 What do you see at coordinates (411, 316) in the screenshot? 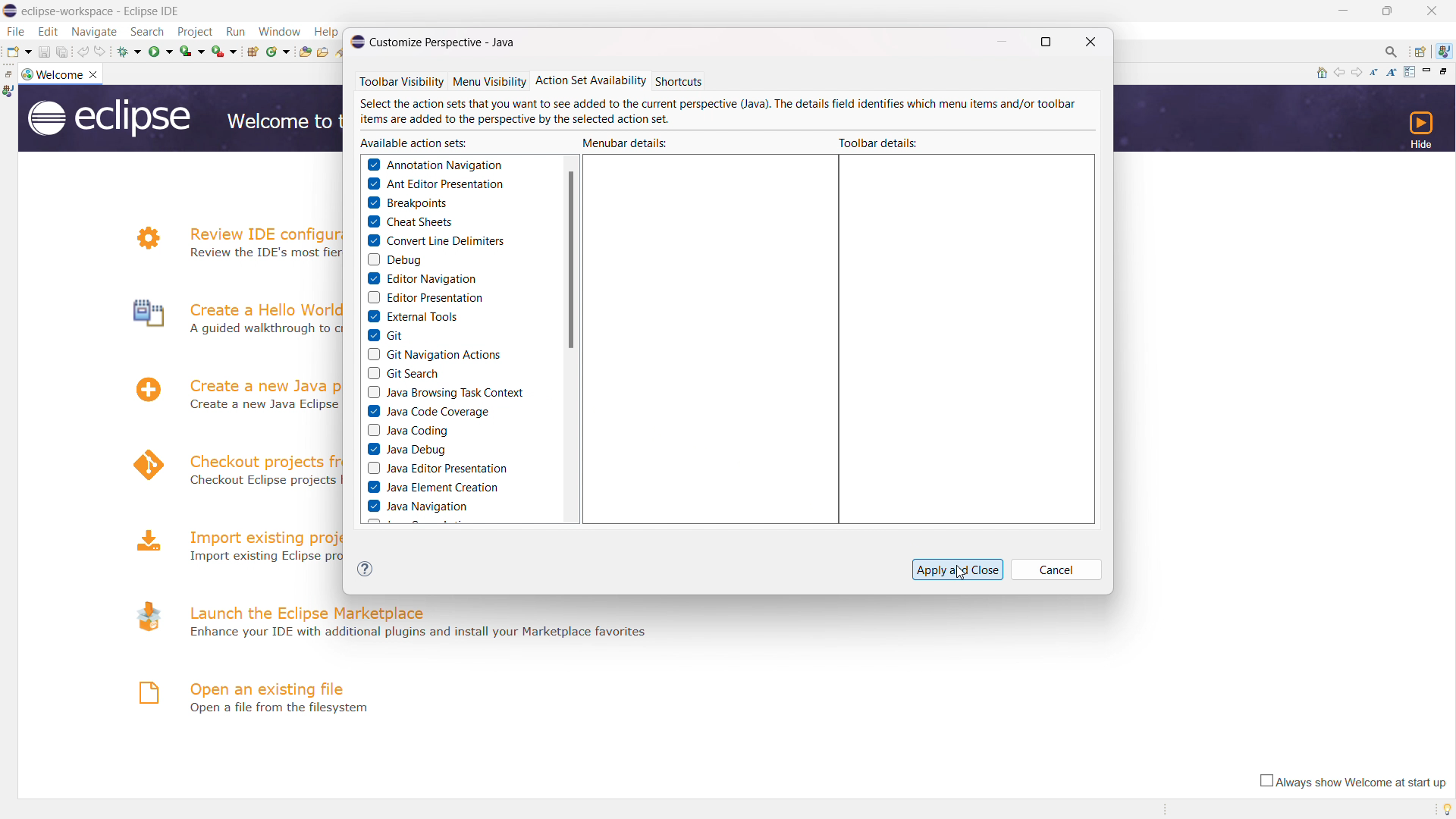
I see `external tools` at bounding box center [411, 316].